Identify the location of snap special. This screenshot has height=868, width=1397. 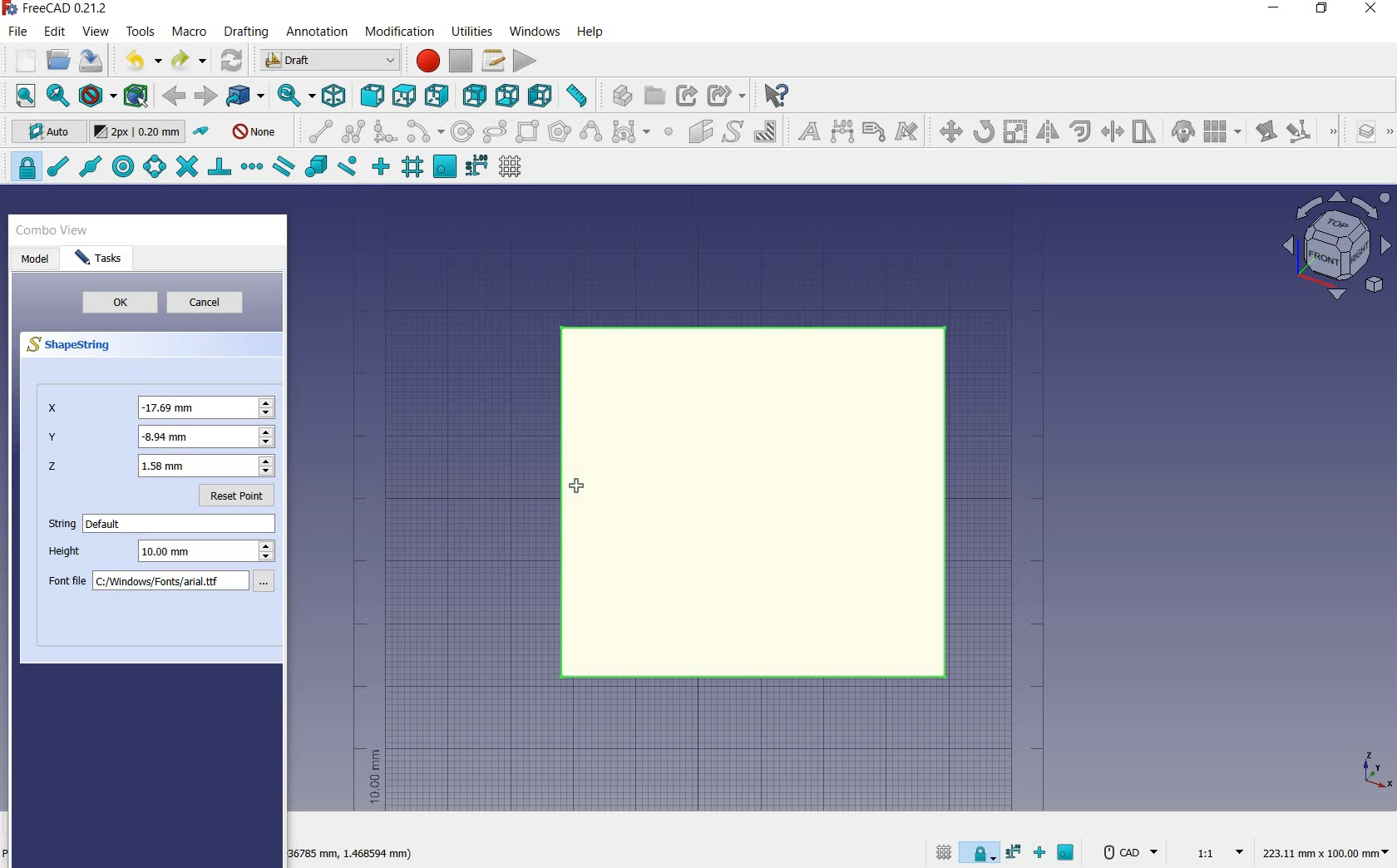
(314, 167).